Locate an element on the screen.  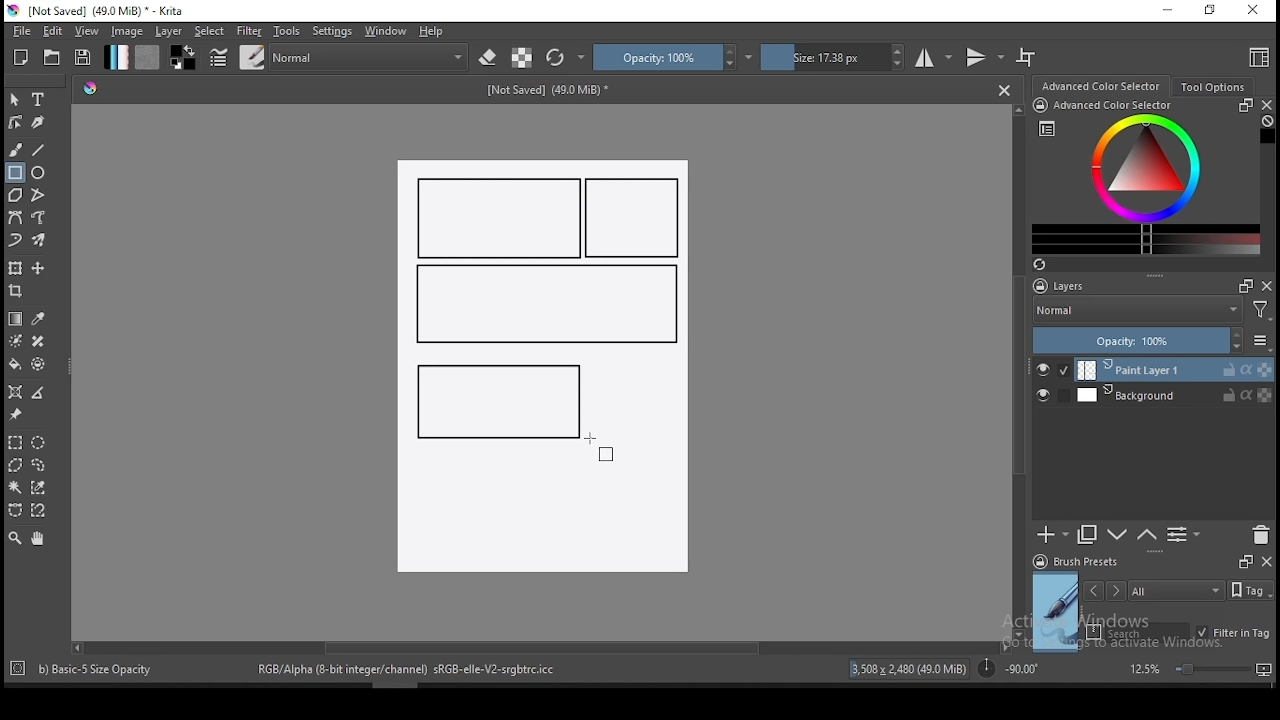
colors is located at coordinates (183, 57).